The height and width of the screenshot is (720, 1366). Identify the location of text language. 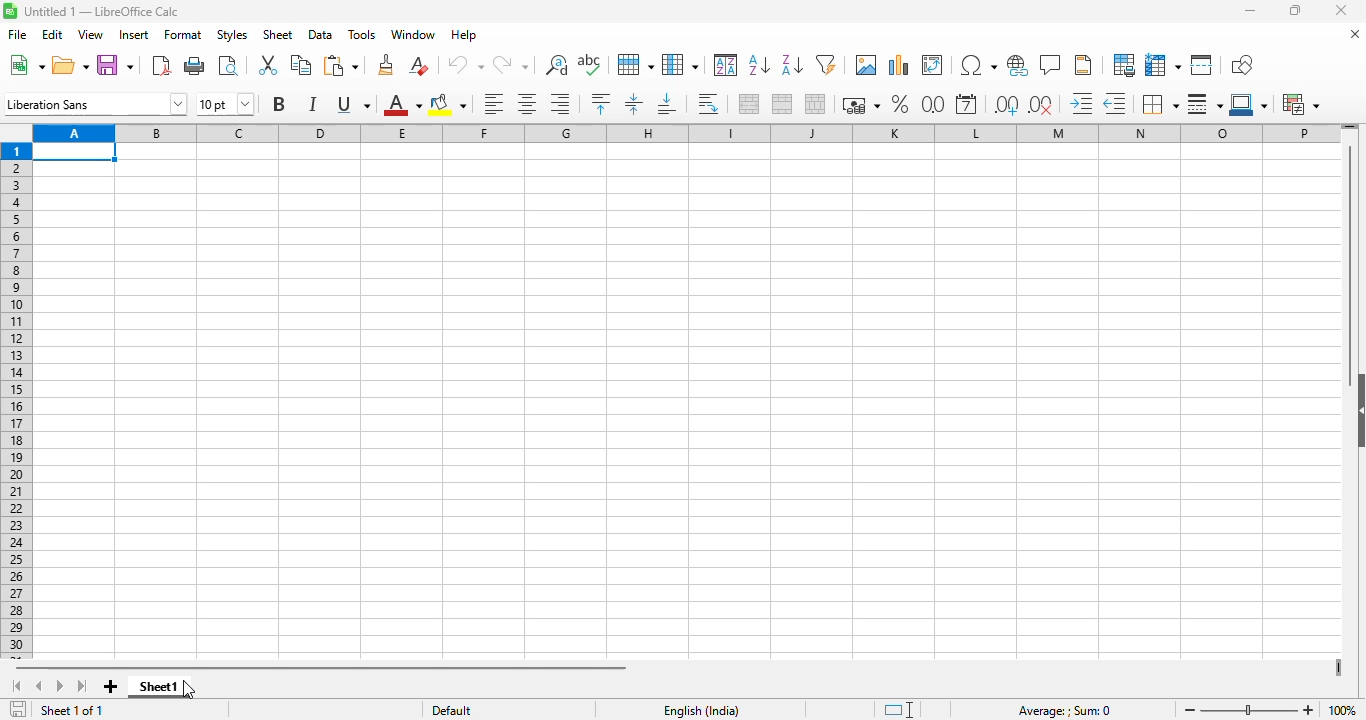
(700, 710).